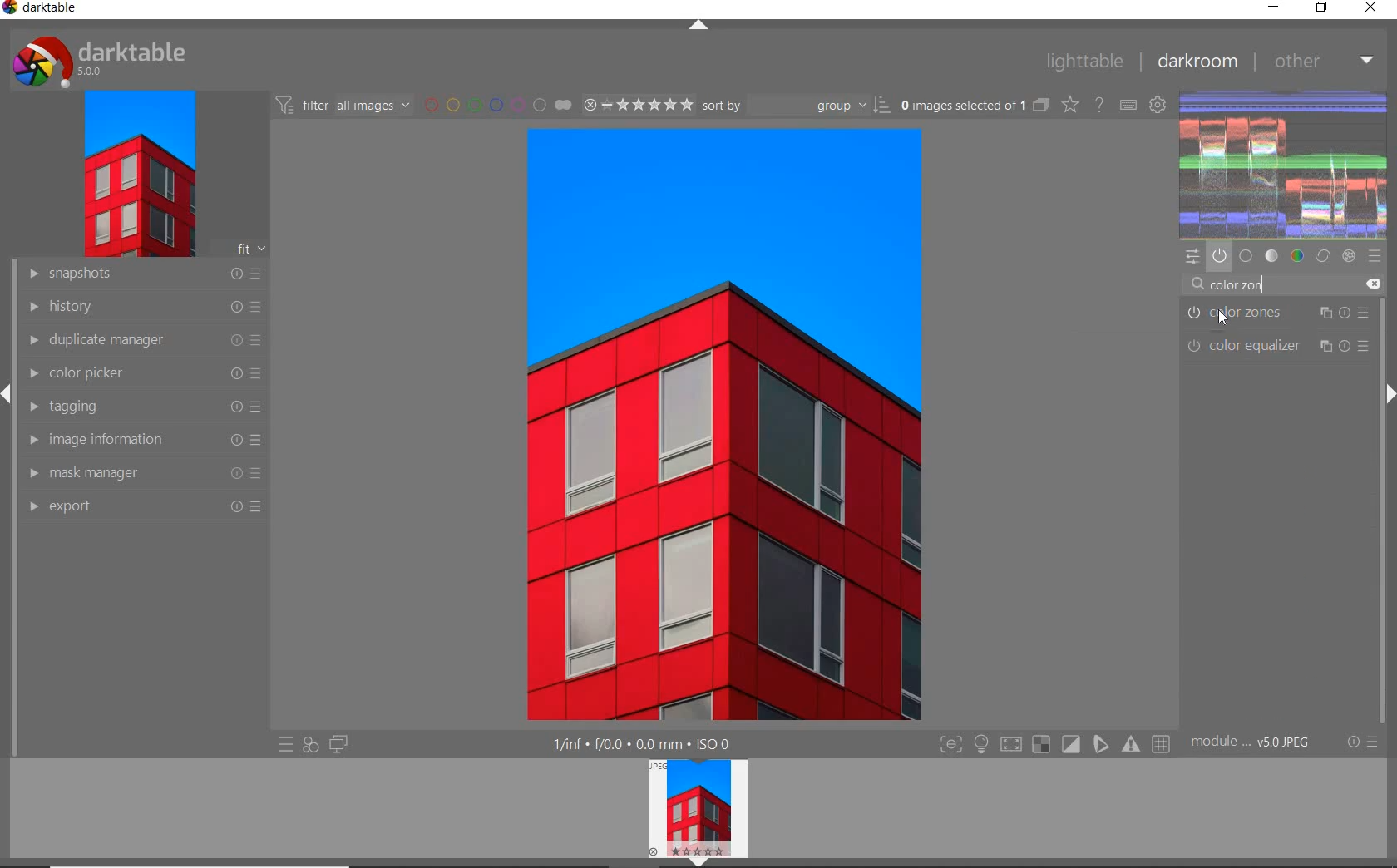  I want to click on tagging, so click(141, 407).